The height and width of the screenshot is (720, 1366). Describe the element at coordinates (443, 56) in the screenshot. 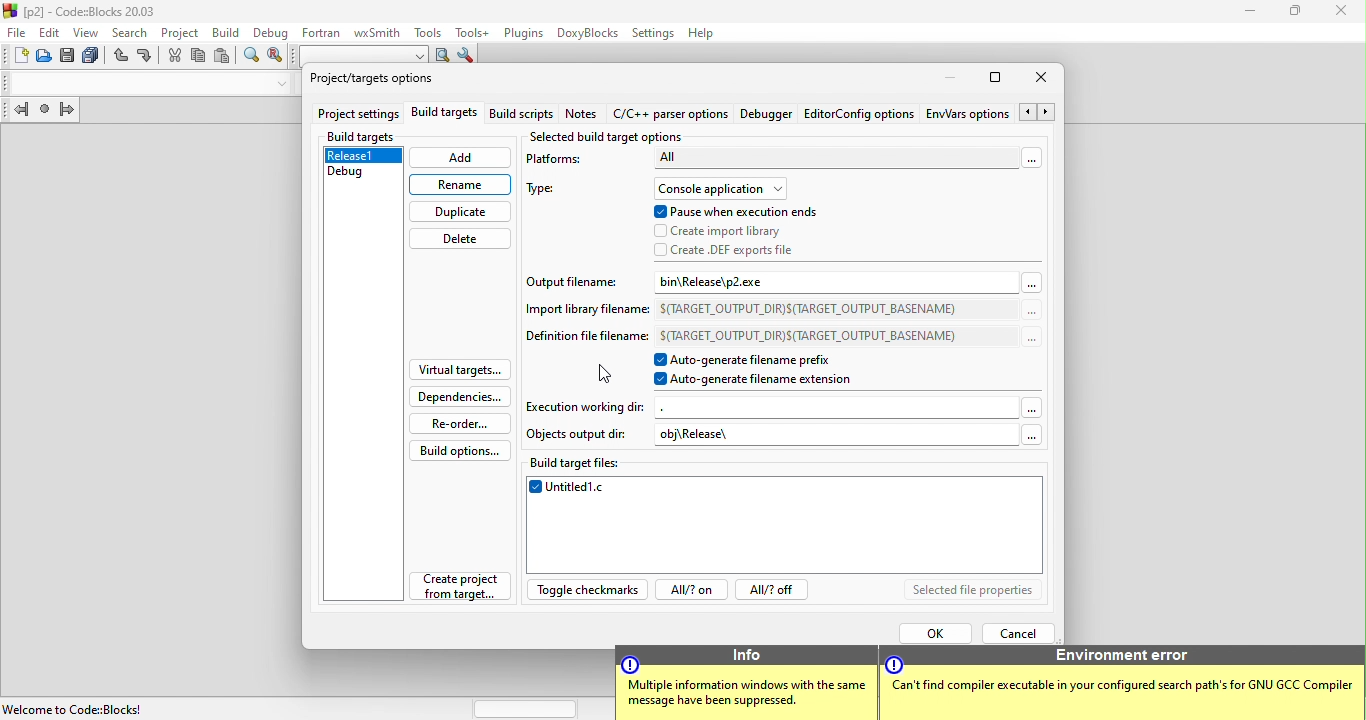

I see `run search` at that location.